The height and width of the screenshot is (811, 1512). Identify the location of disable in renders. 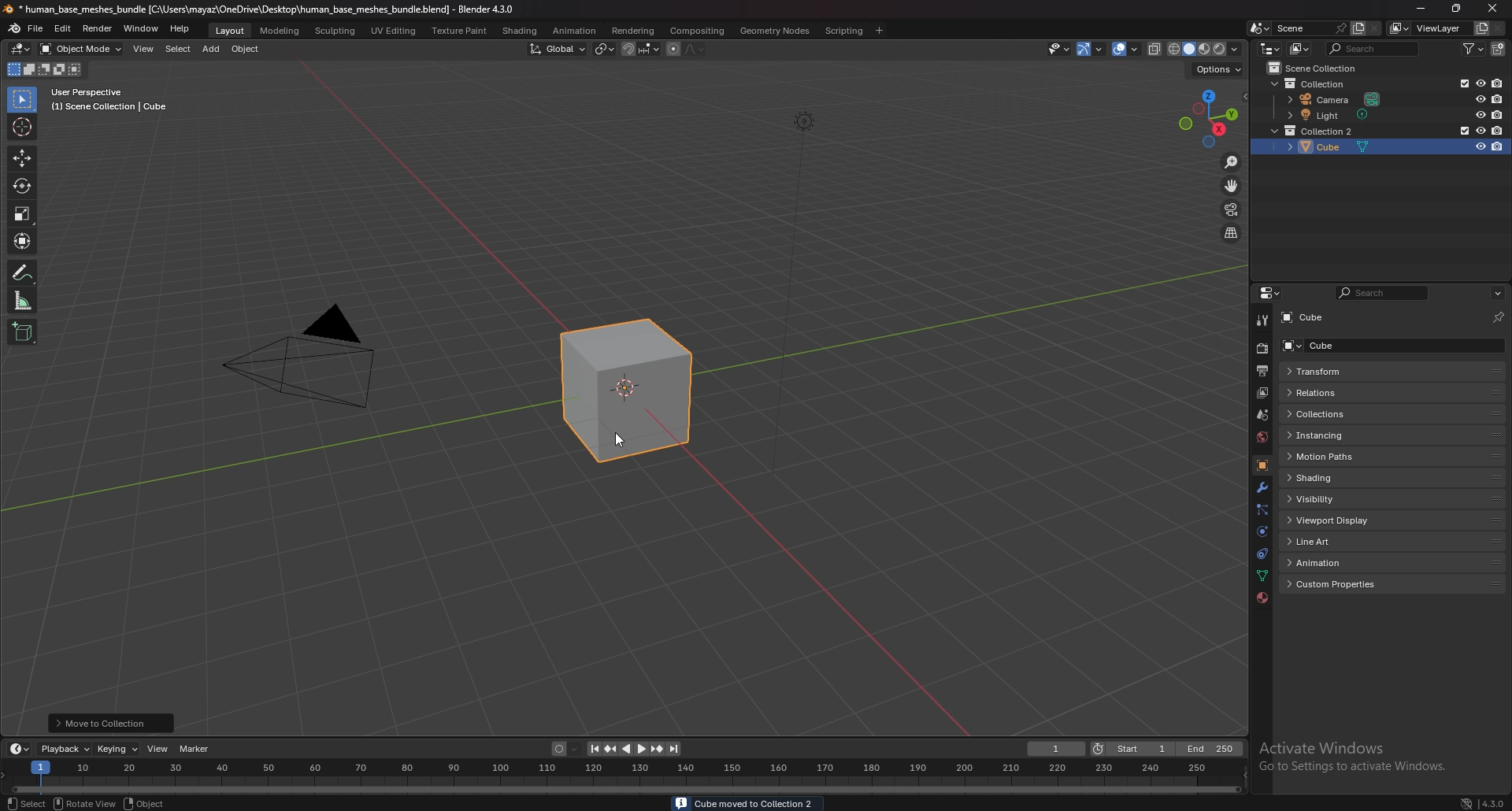
(1499, 130).